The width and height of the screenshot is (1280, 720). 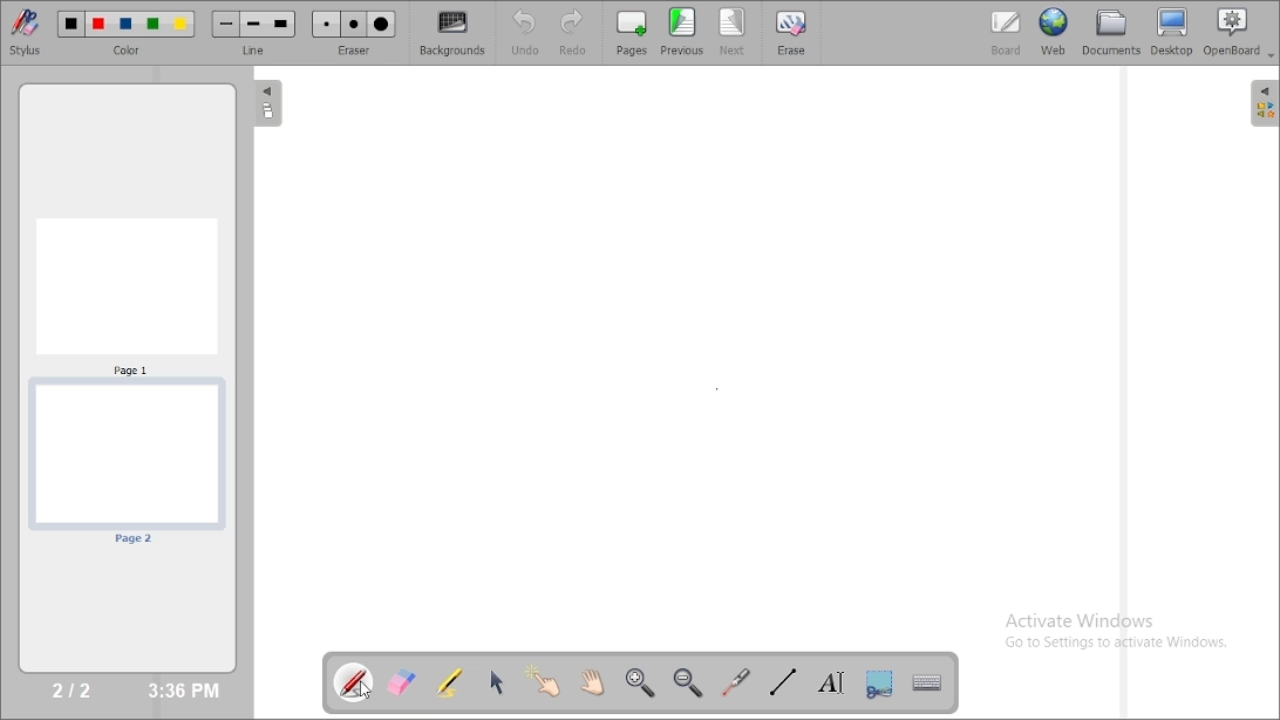 I want to click on capture part of the screen, so click(x=879, y=683).